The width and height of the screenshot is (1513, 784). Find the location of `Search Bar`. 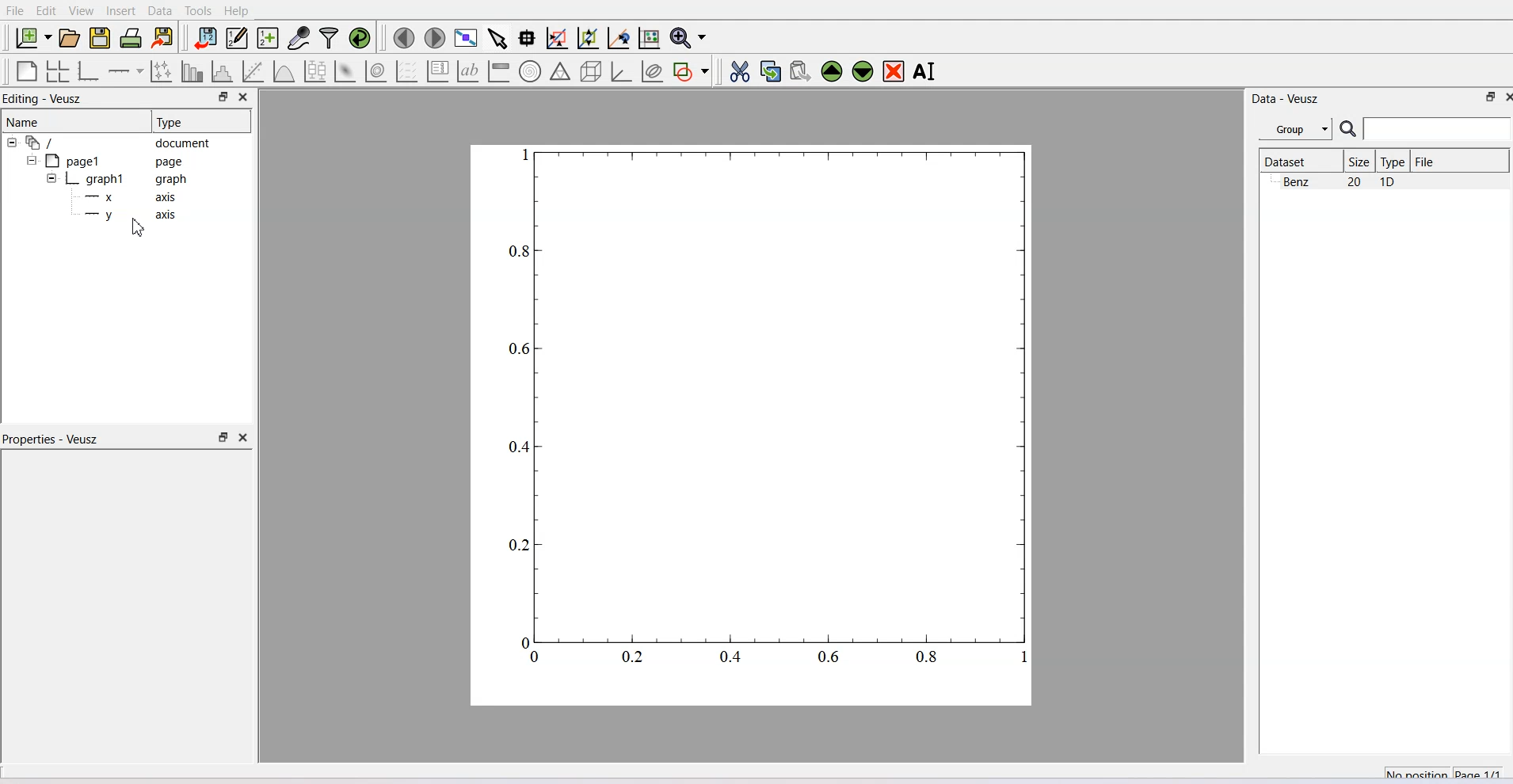

Search Bar is located at coordinates (1426, 128).